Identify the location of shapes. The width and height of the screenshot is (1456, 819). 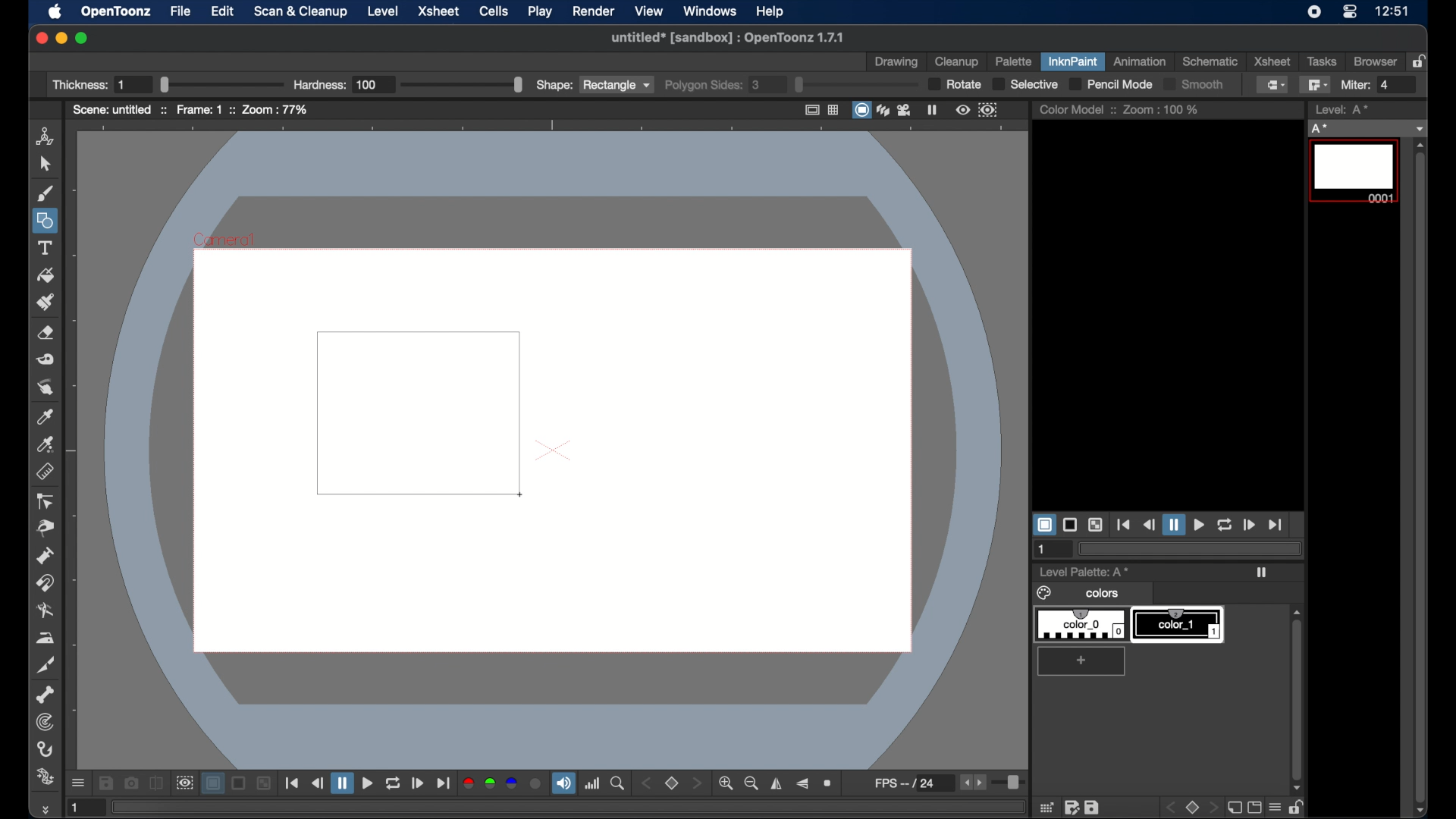
(46, 221).